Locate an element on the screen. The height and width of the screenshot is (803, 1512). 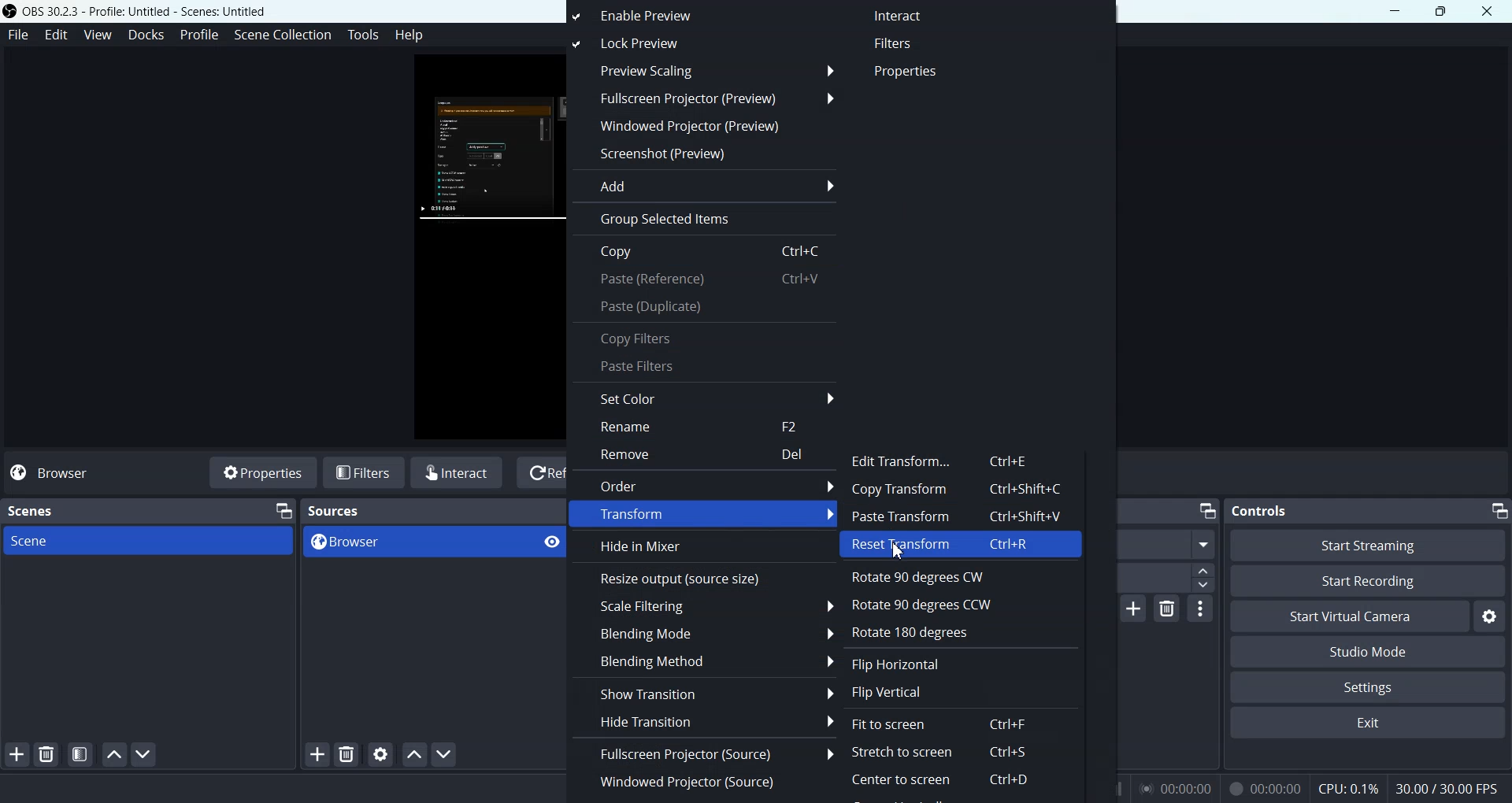
Start Streaming is located at coordinates (1368, 545).